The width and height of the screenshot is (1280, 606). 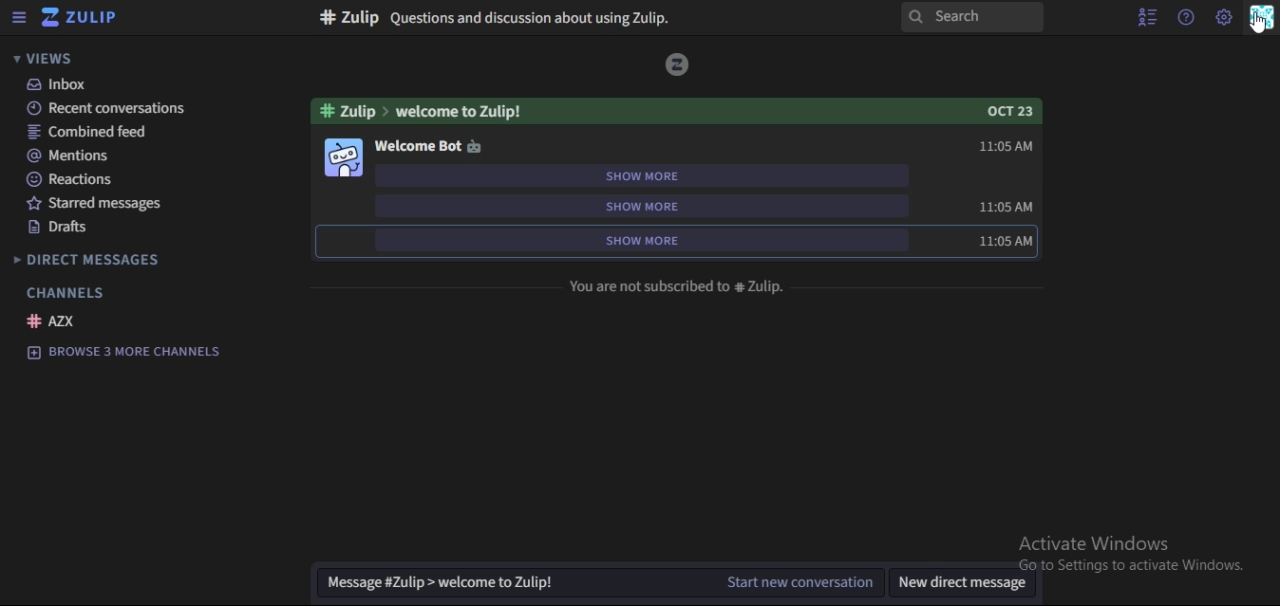 I want to click on Image, so click(x=678, y=64).